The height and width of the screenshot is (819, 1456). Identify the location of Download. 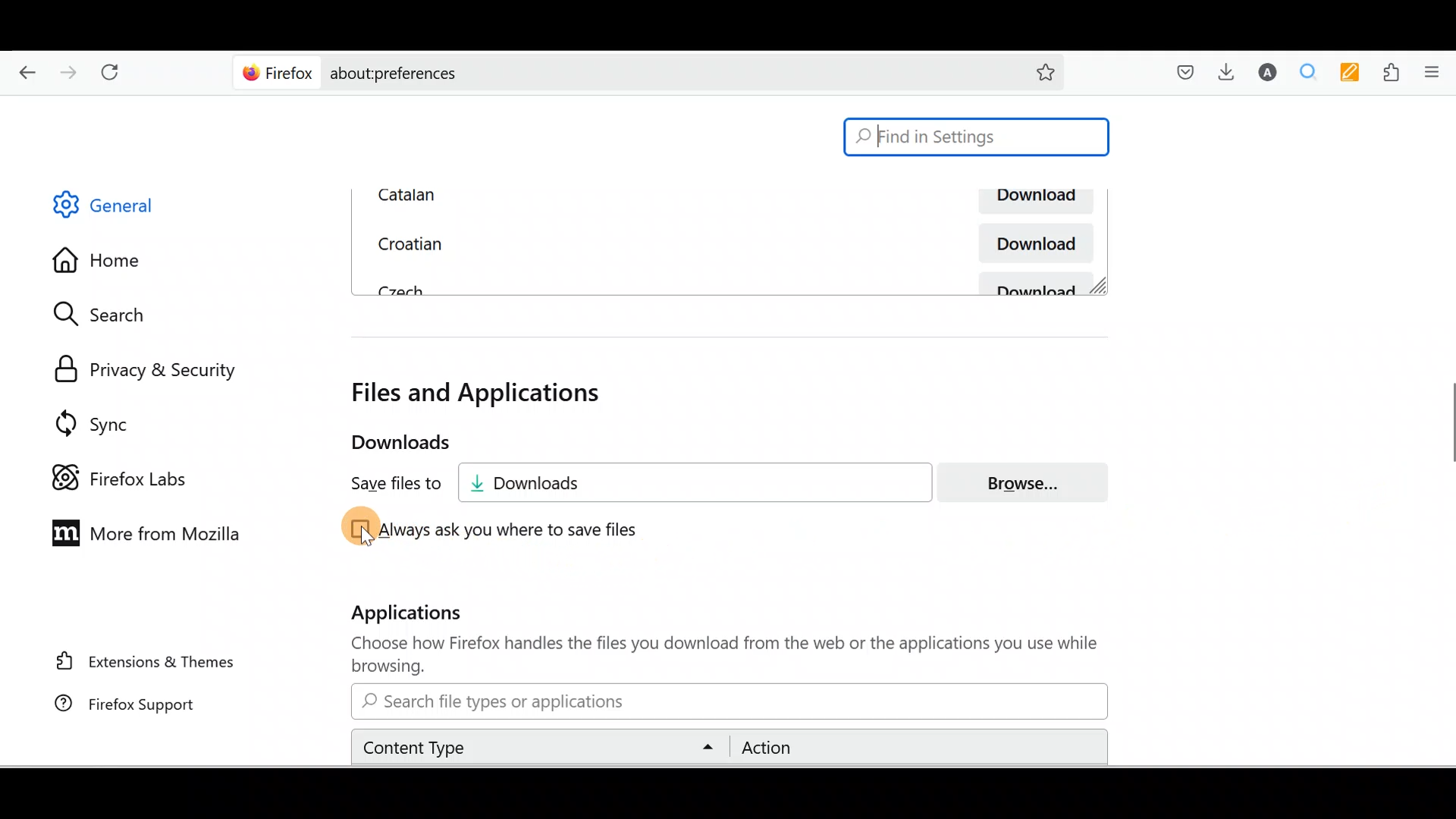
(1031, 243).